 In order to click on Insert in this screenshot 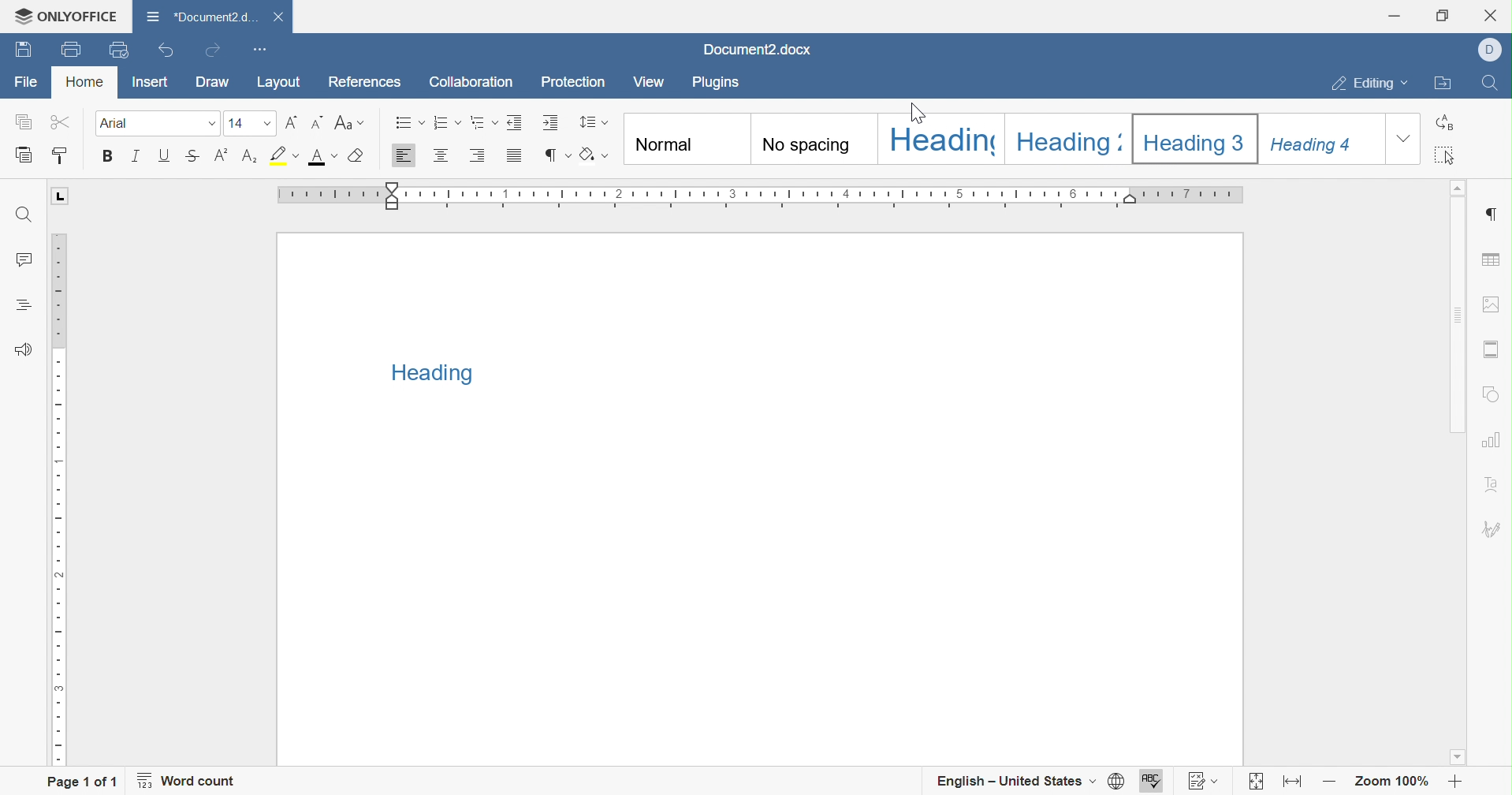, I will do `click(149, 80)`.